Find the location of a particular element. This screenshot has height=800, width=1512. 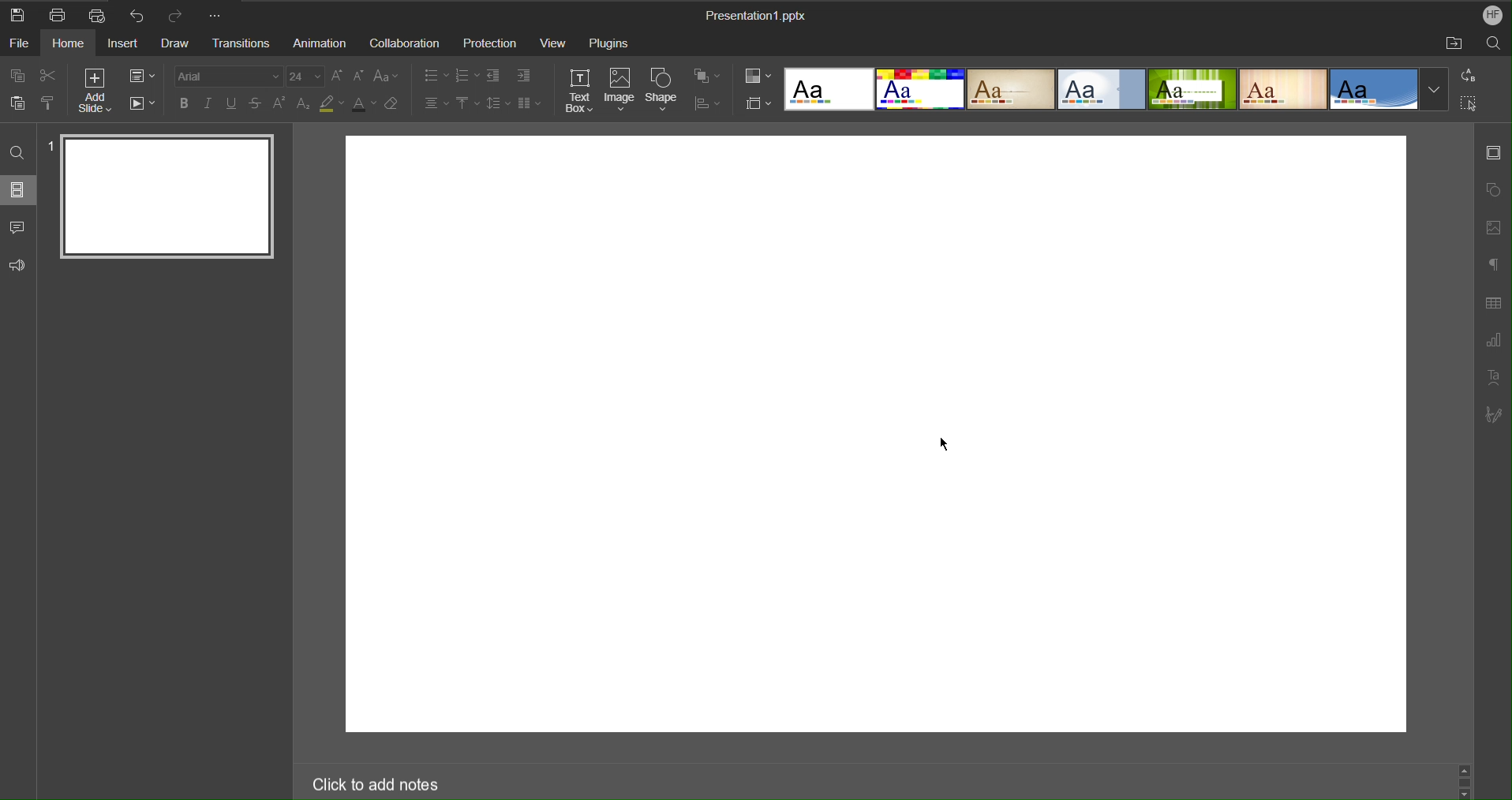

Quick Print is located at coordinates (97, 15).